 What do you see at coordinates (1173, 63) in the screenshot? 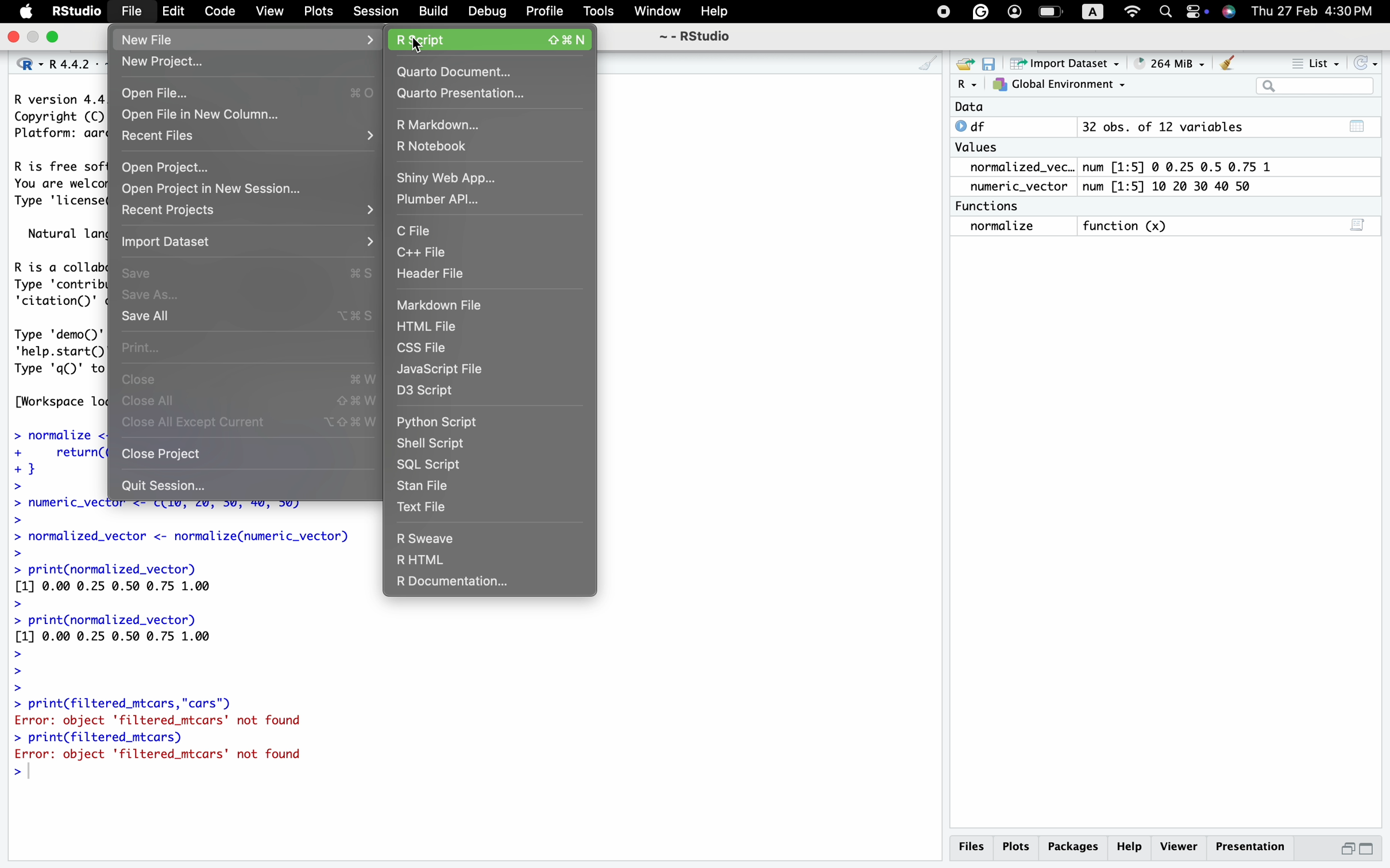
I see `264 MiB` at bounding box center [1173, 63].